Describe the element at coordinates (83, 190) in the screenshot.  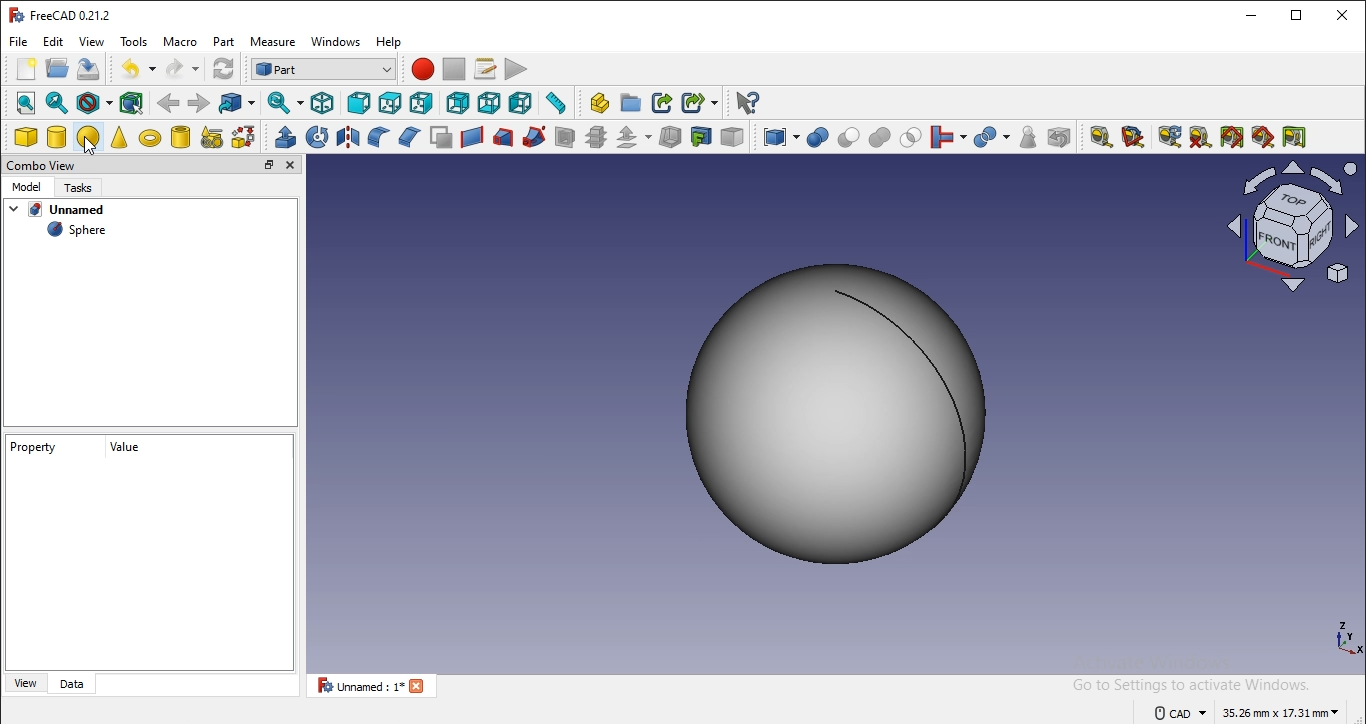
I see `tasks` at that location.